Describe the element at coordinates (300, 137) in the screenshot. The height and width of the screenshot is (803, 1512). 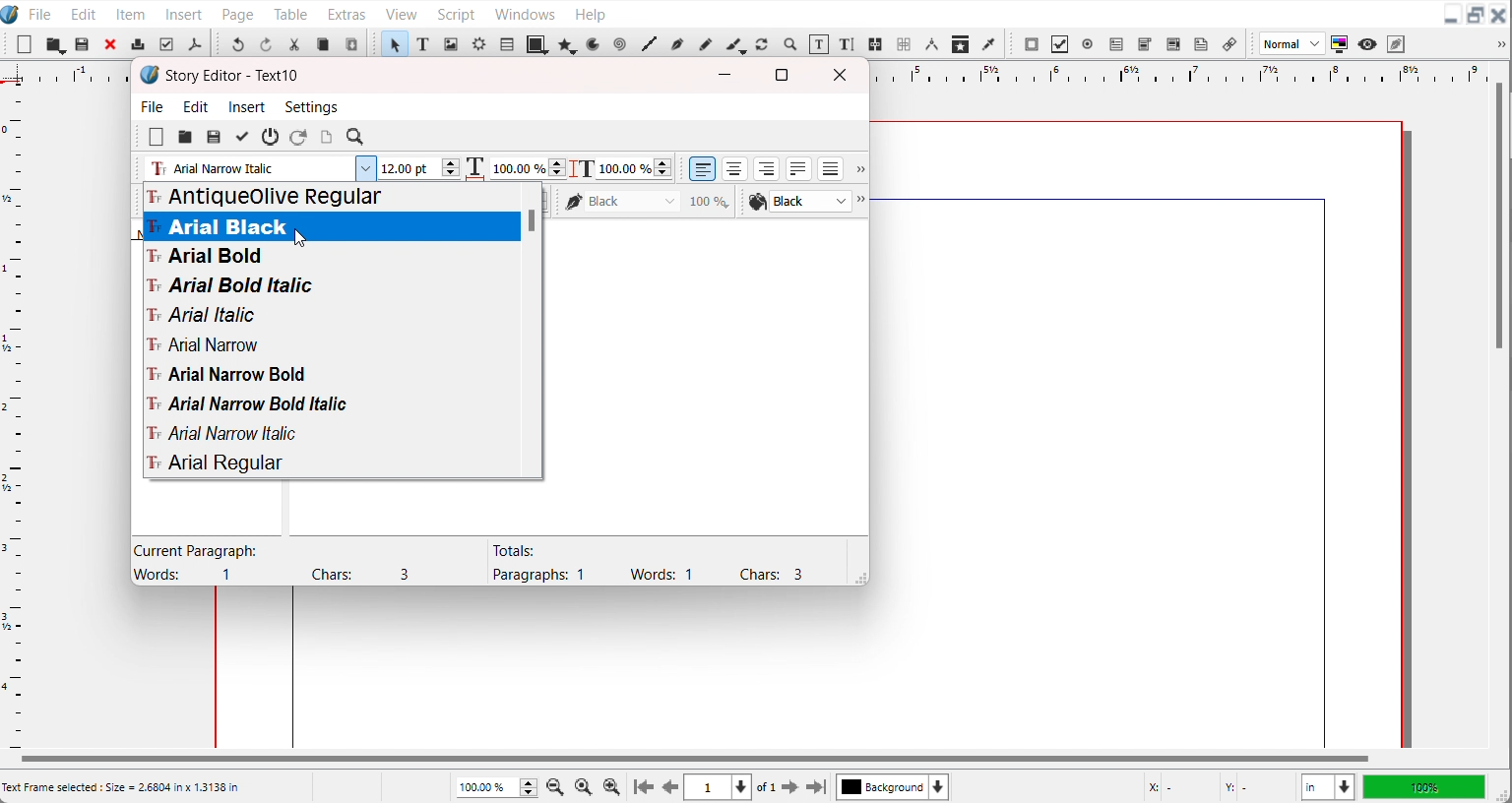
I see `Reload from the text frame` at that location.